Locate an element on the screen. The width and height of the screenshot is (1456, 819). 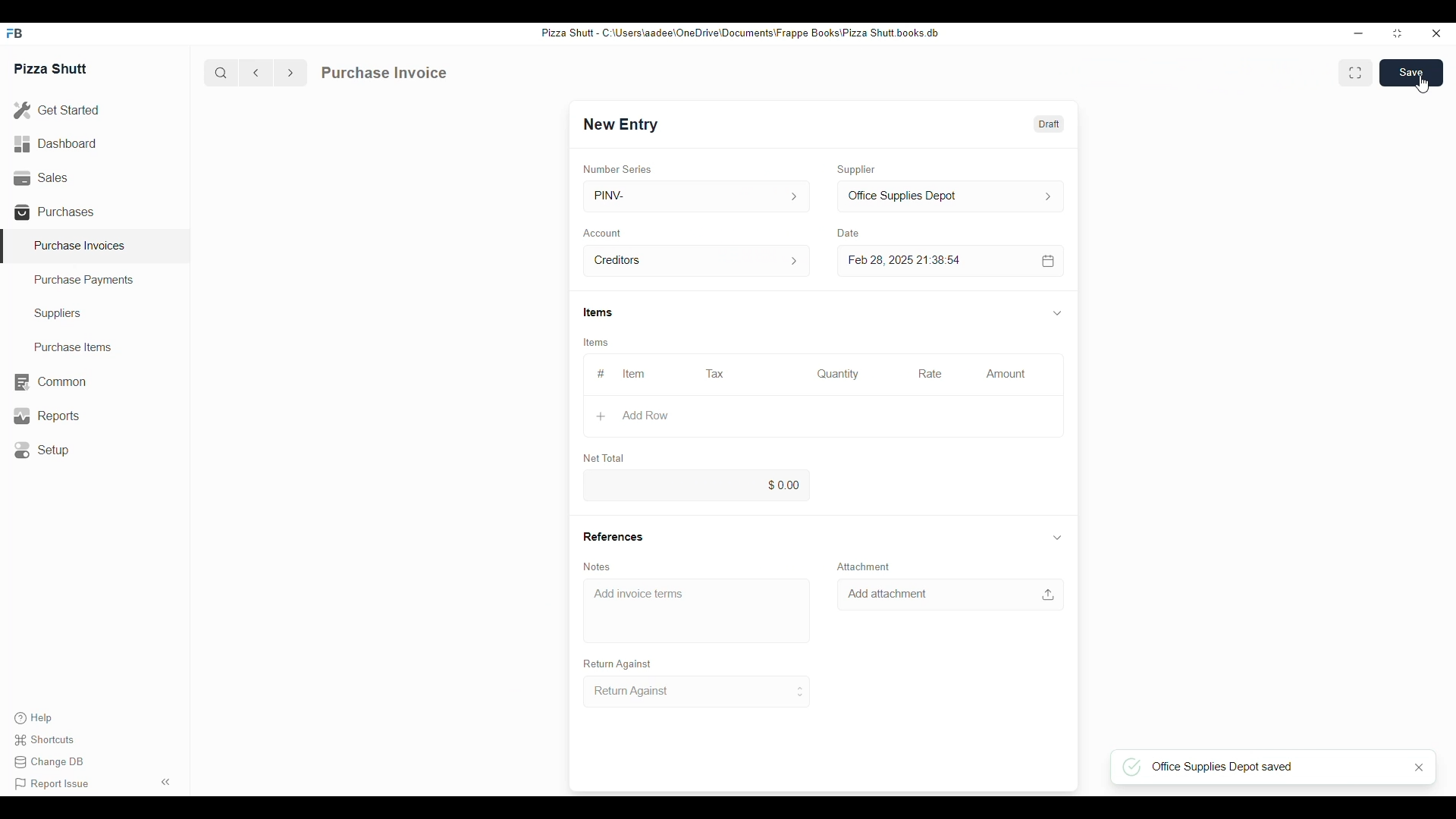
References is located at coordinates (611, 536).